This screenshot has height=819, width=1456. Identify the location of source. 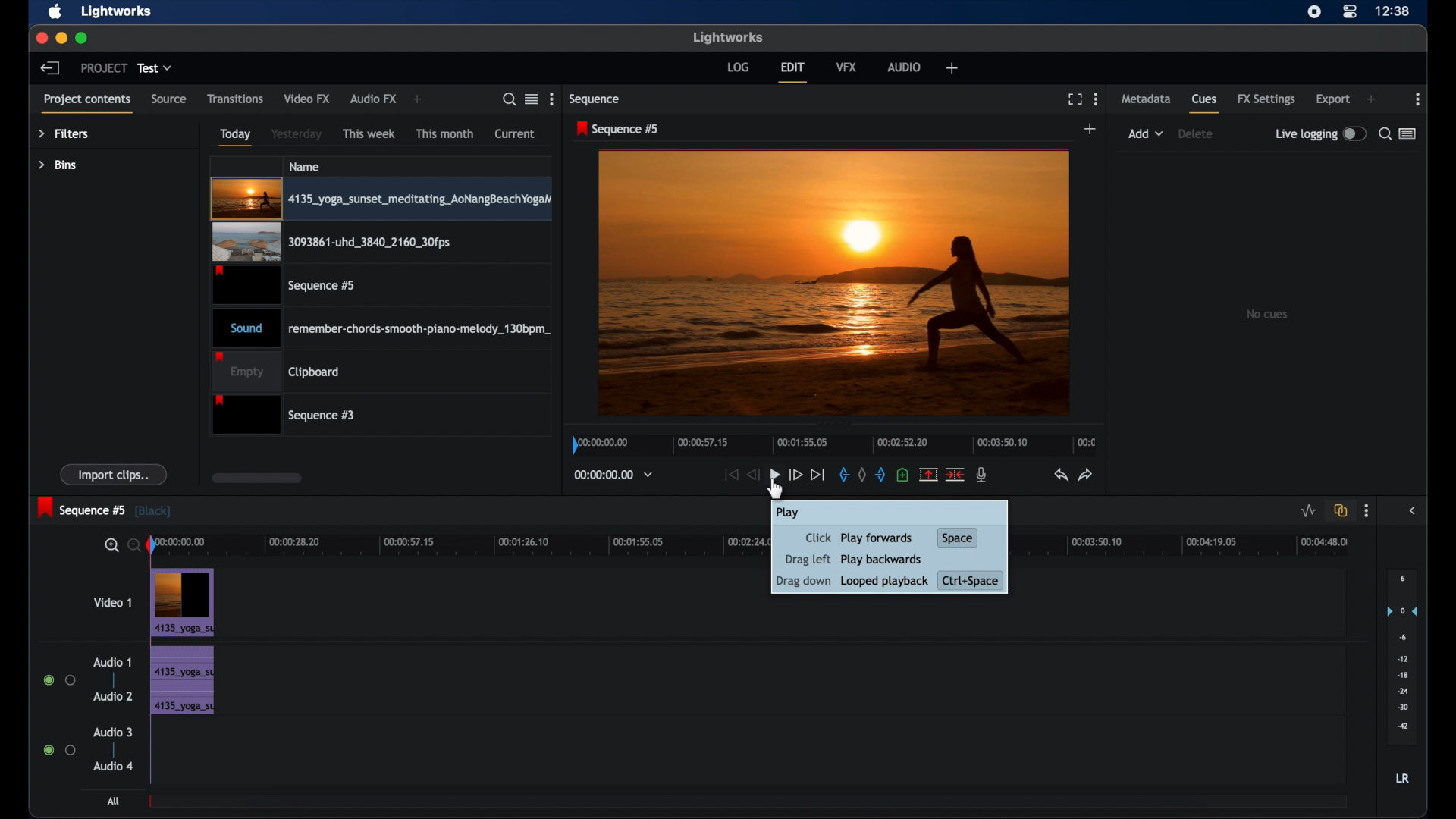
(168, 99).